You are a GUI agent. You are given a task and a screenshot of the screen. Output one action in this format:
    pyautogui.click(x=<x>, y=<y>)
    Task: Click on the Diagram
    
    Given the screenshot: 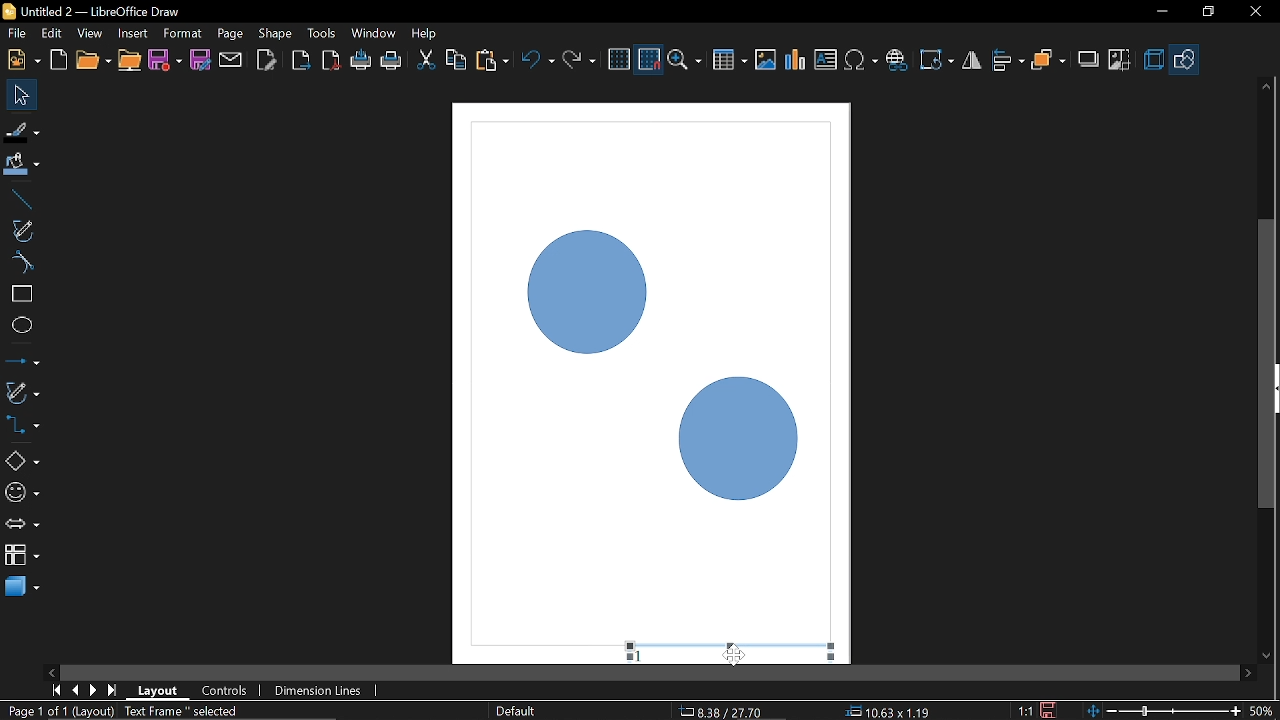 What is the action you would take?
    pyautogui.click(x=796, y=60)
    